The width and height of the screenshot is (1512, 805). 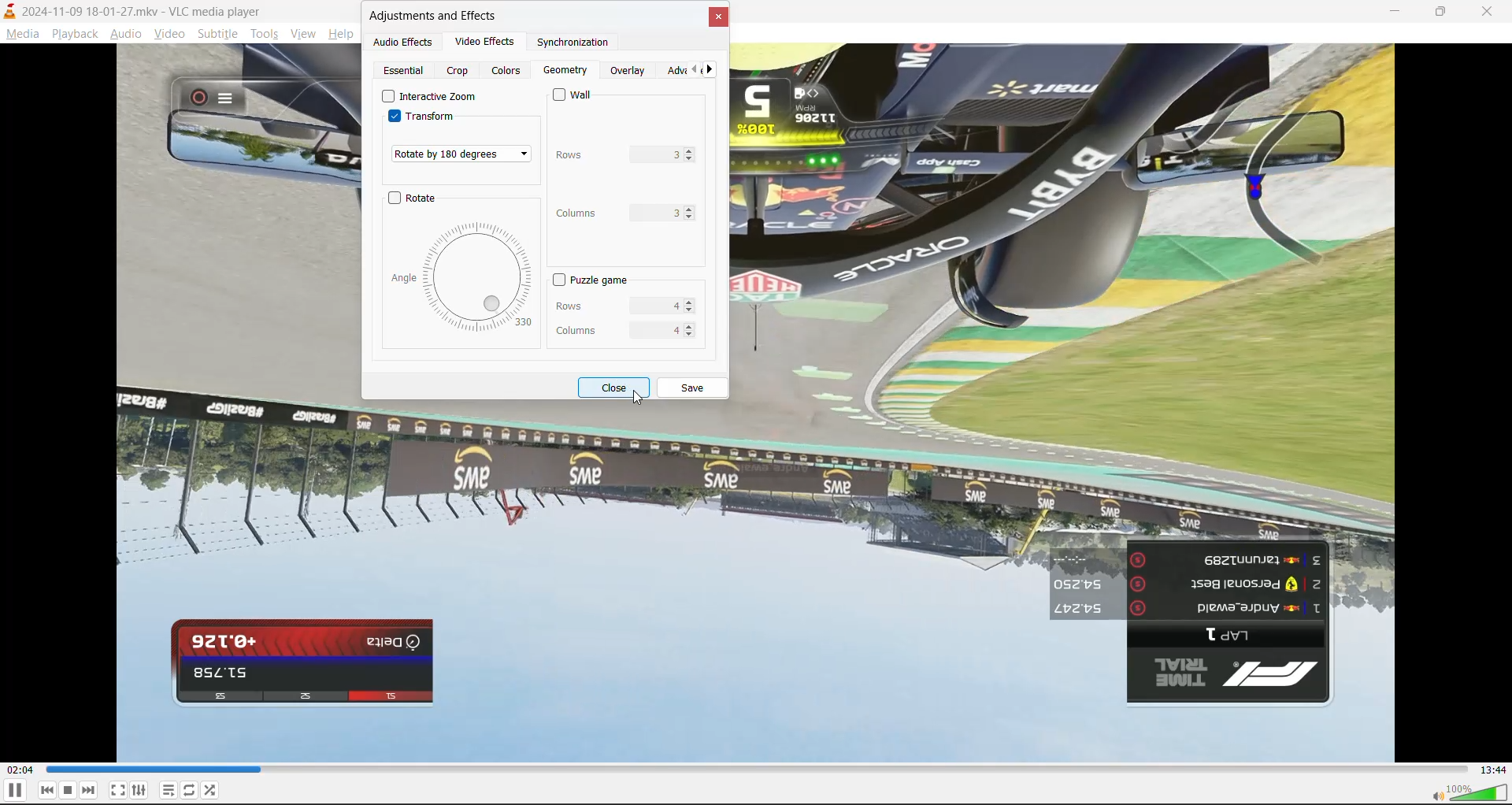 What do you see at coordinates (461, 72) in the screenshot?
I see `crop` at bounding box center [461, 72].